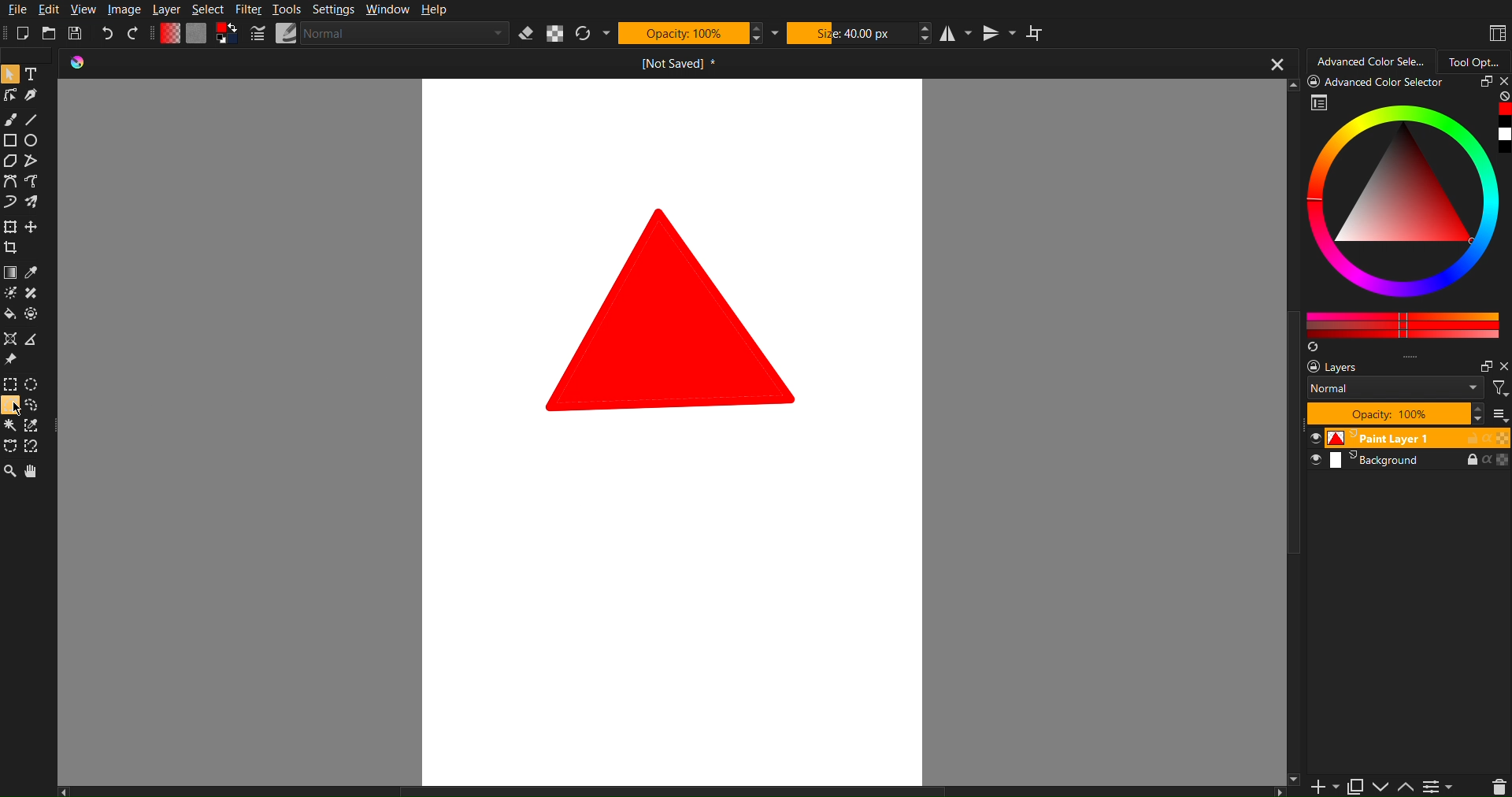 The image size is (1512, 797). What do you see at coordinates (9, 339) in the screenshot?
I see `Shapper` at bounding box center [9, 339].